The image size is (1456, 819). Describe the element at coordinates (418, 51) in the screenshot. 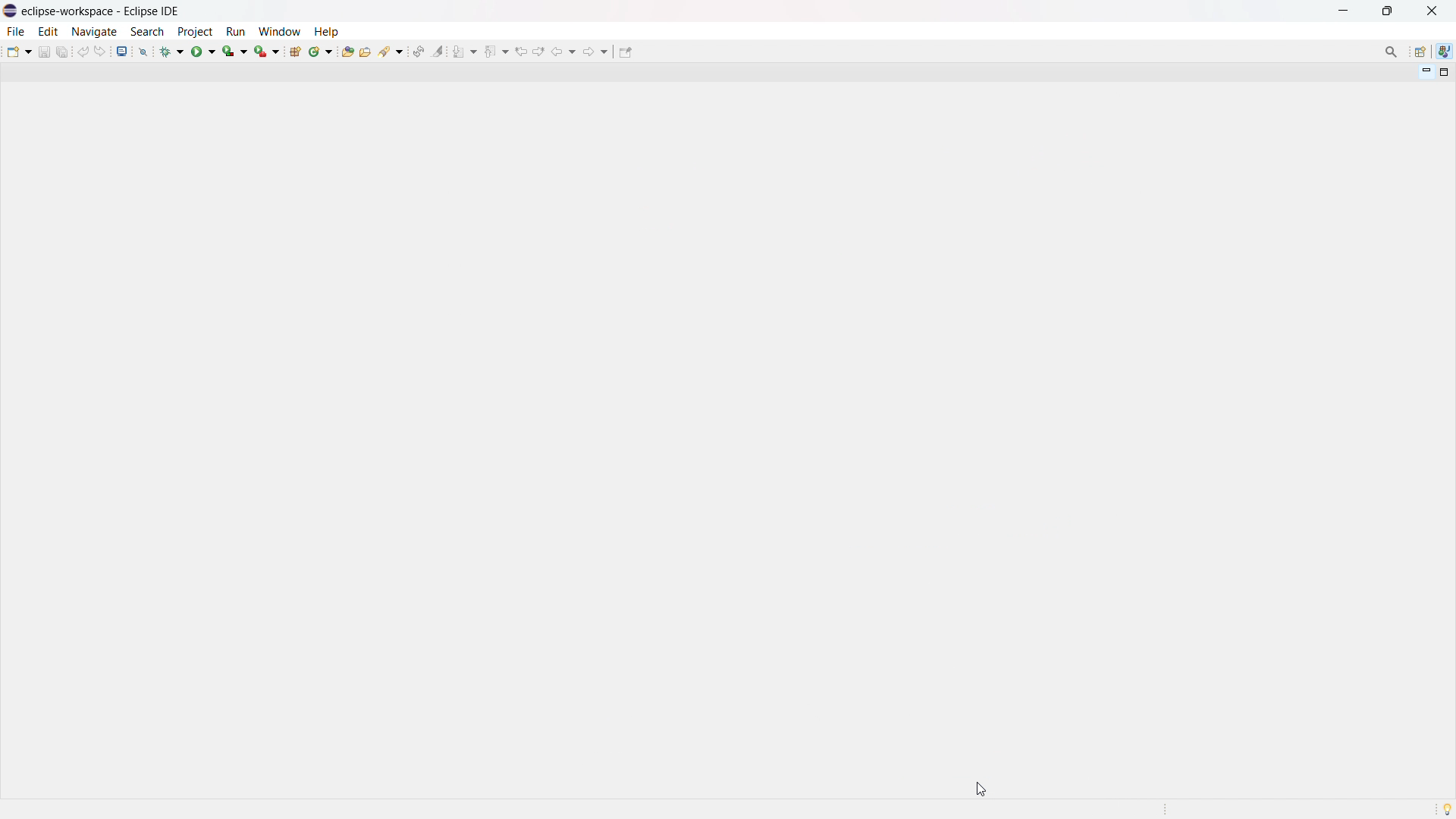

I see `toggle ant editor auto reconcile` at that location.